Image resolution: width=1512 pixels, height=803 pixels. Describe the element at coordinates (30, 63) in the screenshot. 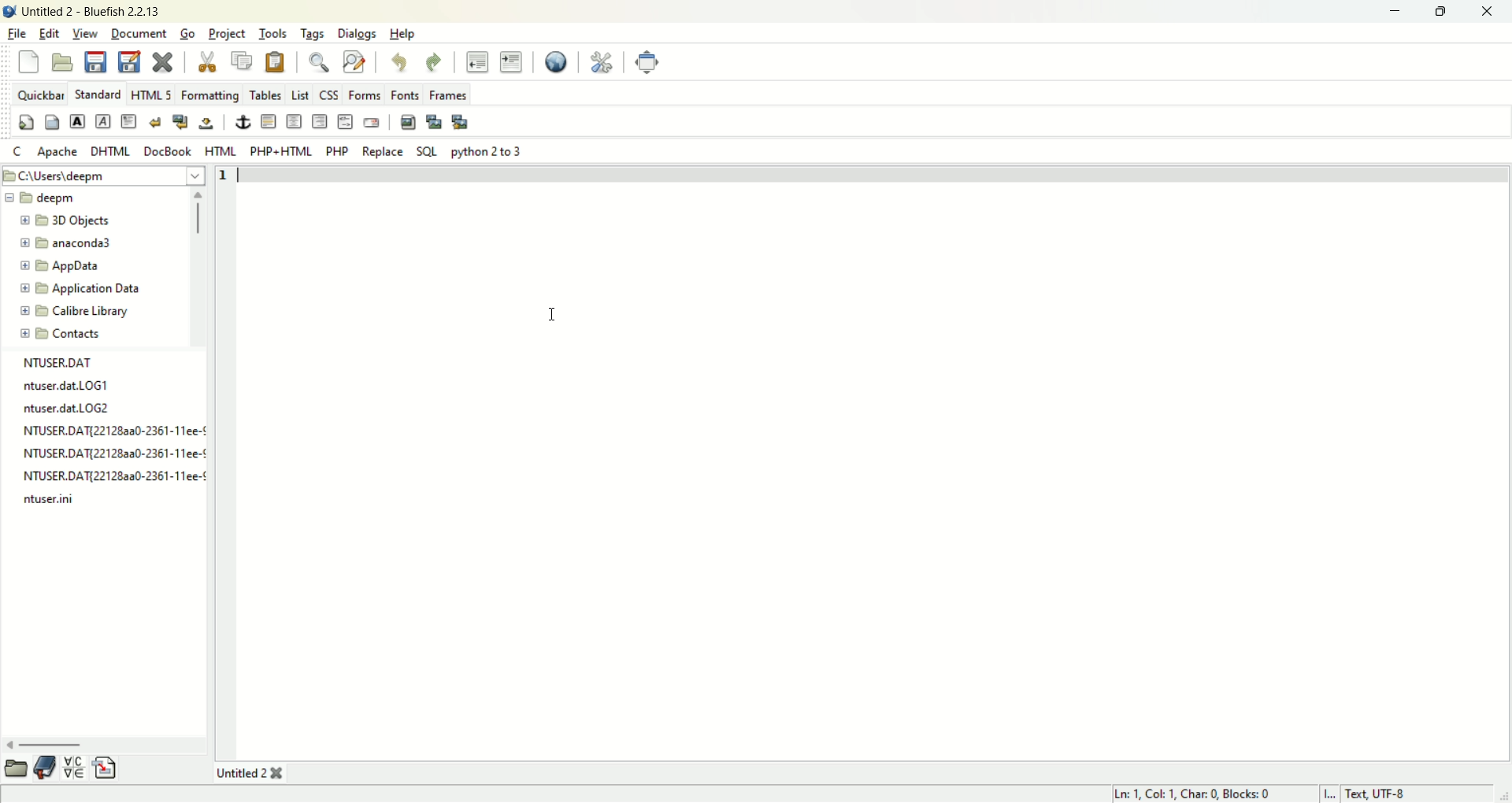

I see `new` at that location.